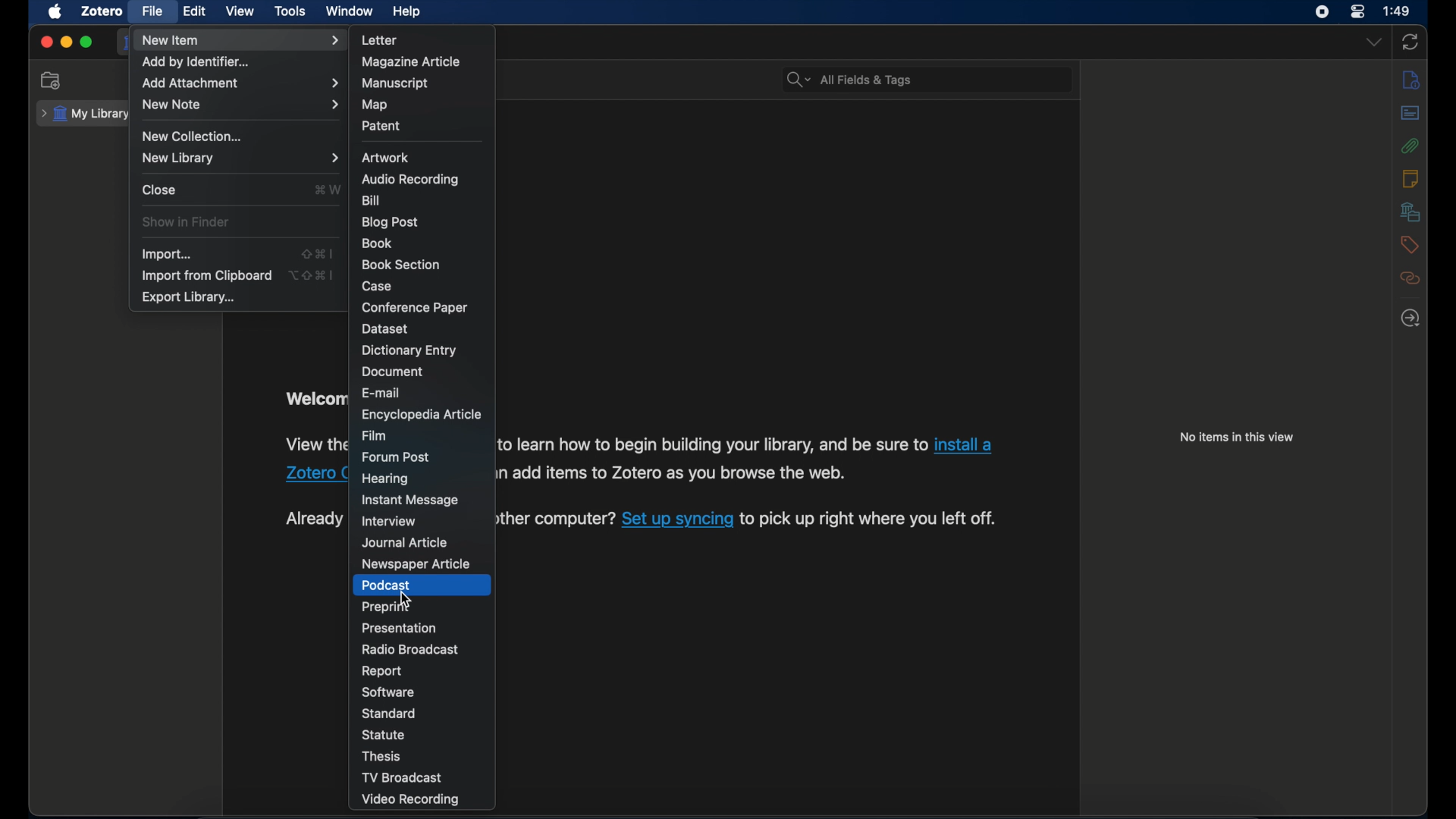  Describe the element at coordinates (400, 628) in the screenshot. I see `presentation` at that location.